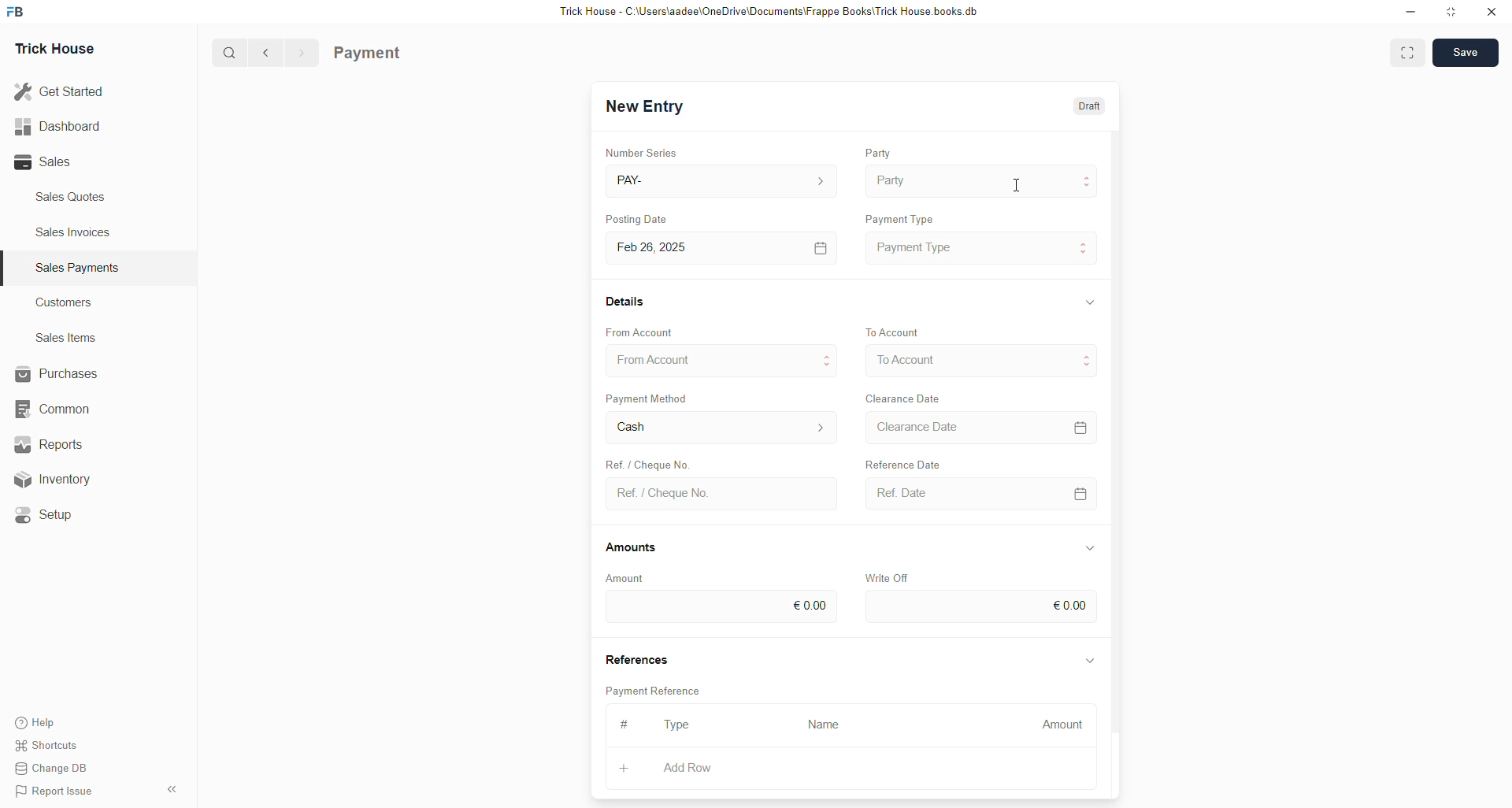 The width and height of the screenshot is (1512, 808). What do you see at coordinates (229, 52) in the screenshot?
I see `Search` at bounding box center [229, 52].